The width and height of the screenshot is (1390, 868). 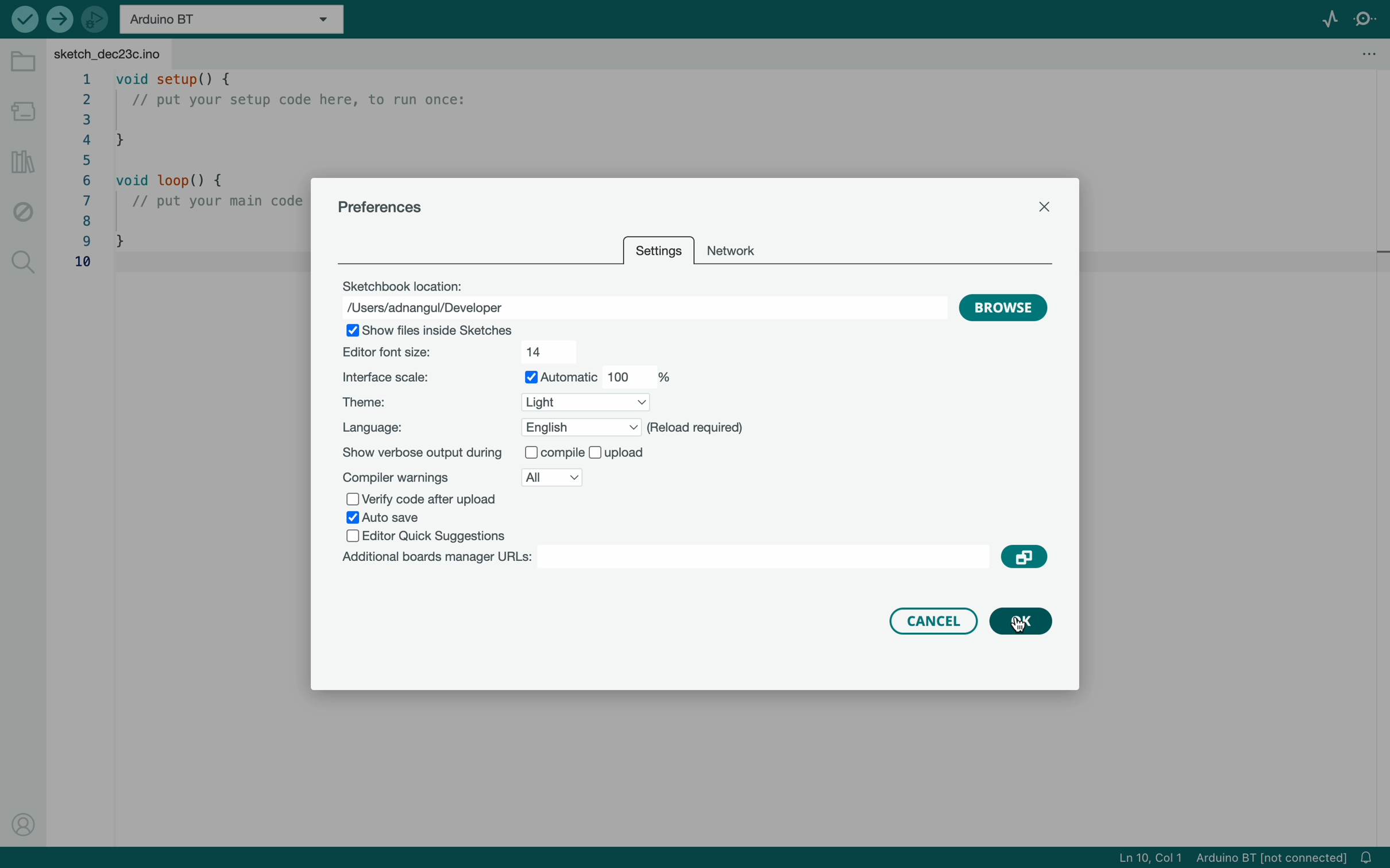 I want to click on cancel, so click(x=933, y=621).